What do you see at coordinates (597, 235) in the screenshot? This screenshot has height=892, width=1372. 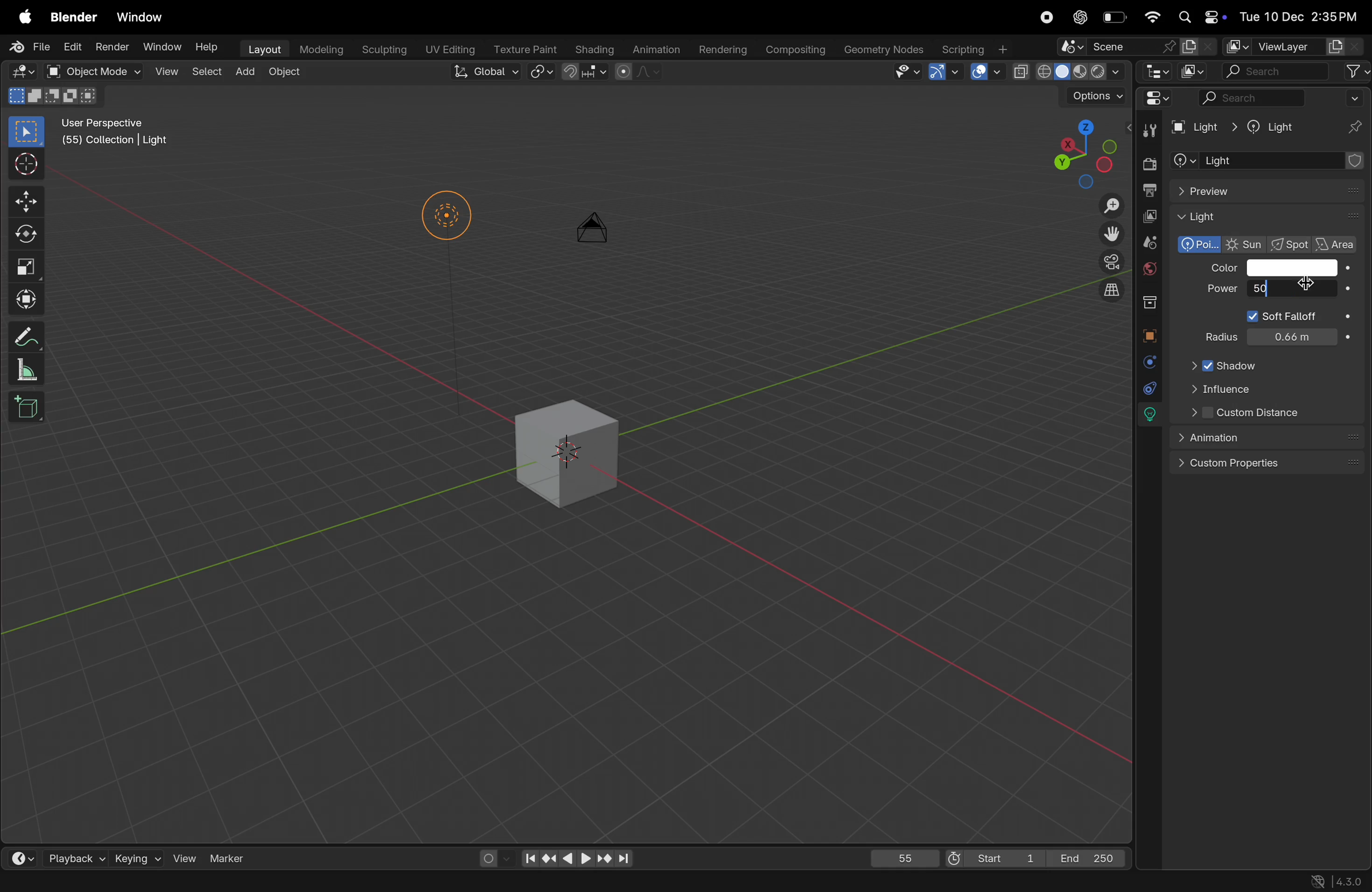 I see `camera` at bounding box center [597, 235].